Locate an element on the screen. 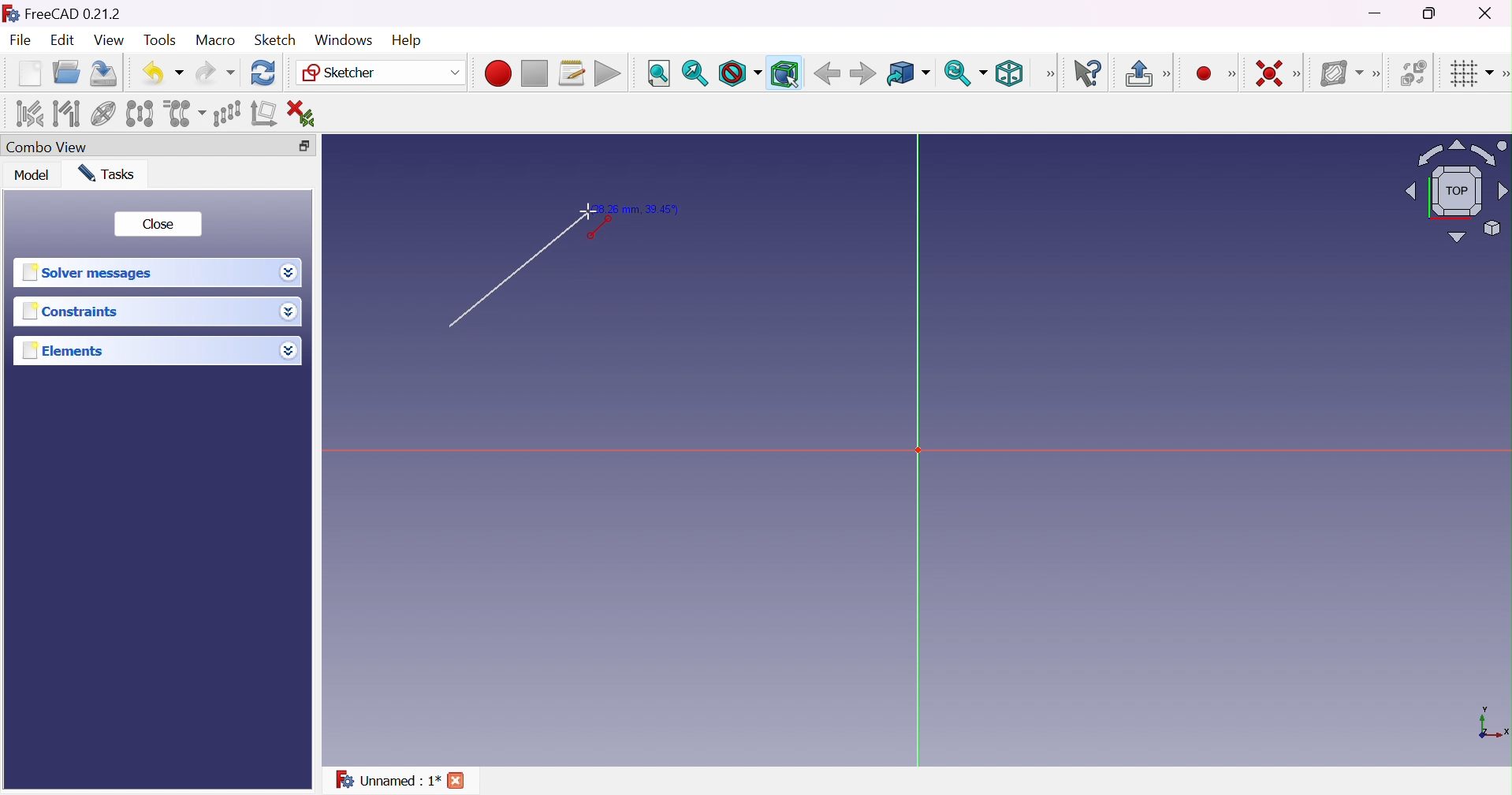 This screenshot has width=1512, height=795. Macros... is located at coordinates (572, 73).